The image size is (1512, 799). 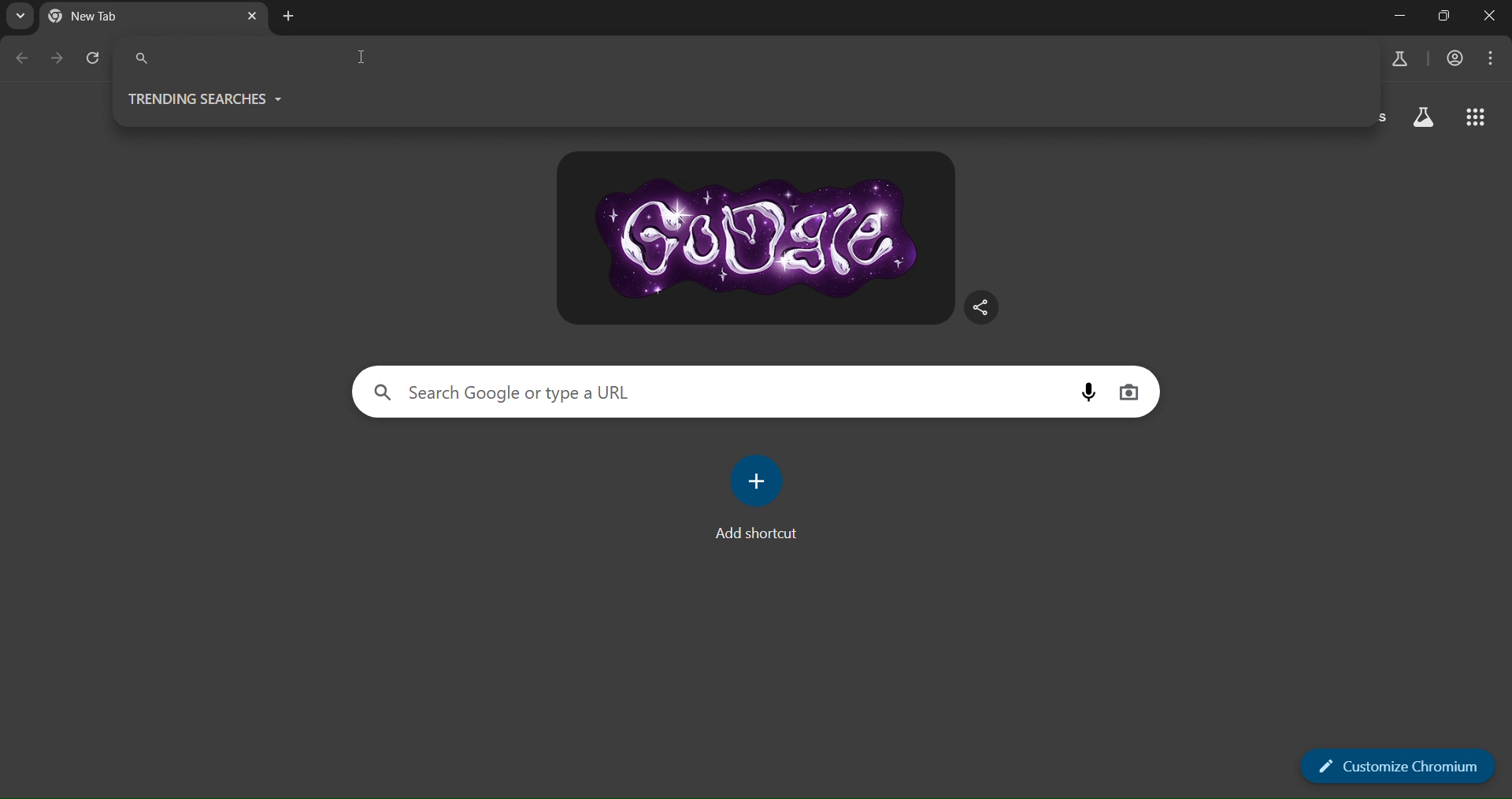 What do you see at coordinates (980, 306) in the screenshot?
I see `share` at bounding box center [980, 306].